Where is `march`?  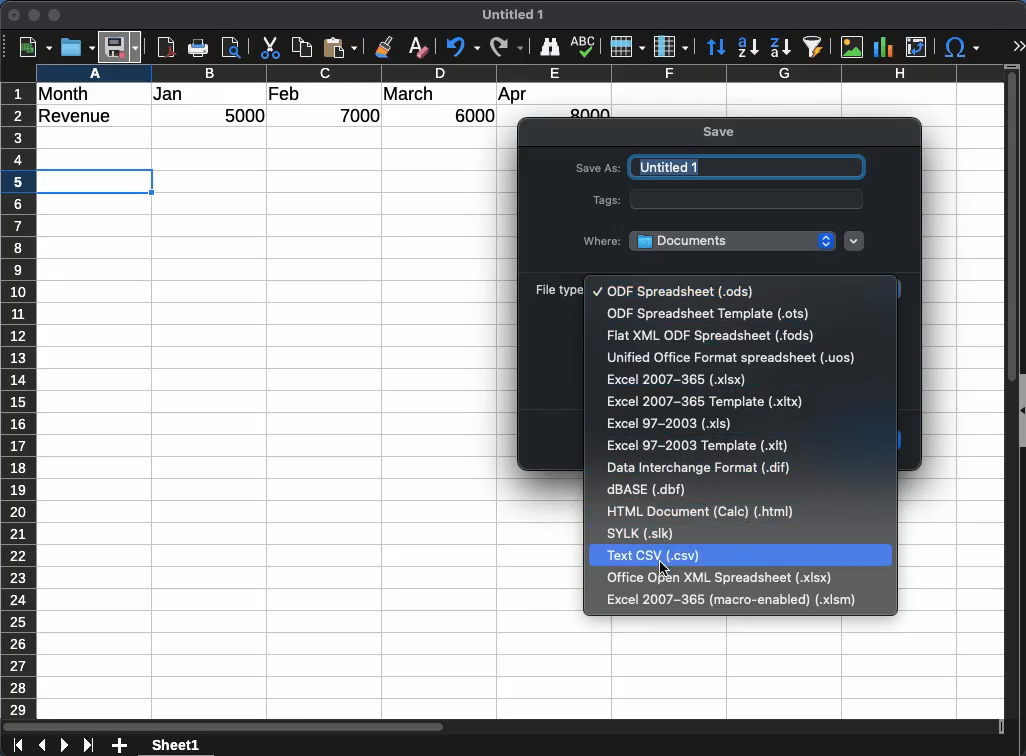 march is located at coordinates (409, 94).